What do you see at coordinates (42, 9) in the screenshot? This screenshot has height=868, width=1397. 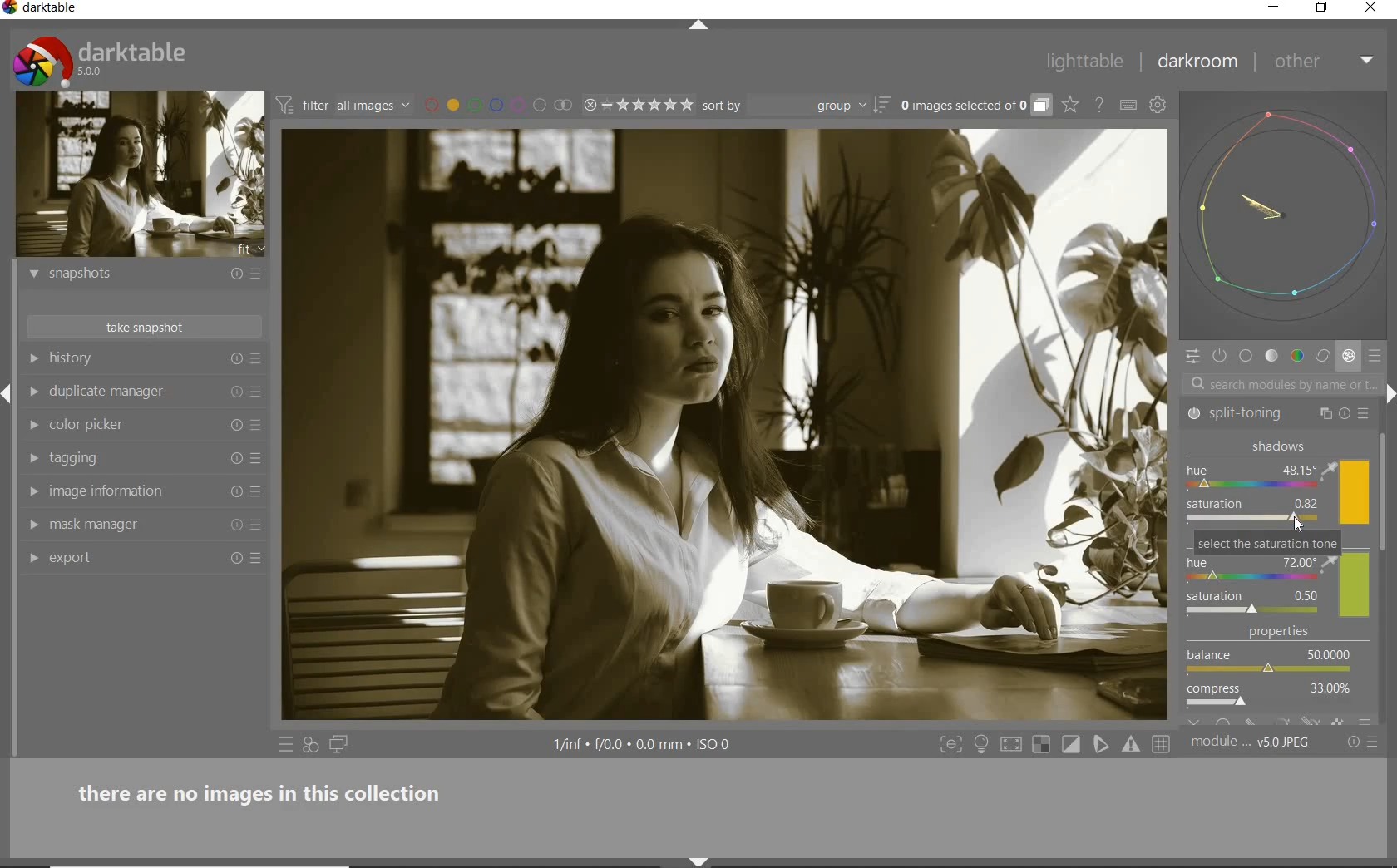 I see `system name` at bounding box center [42, 9].